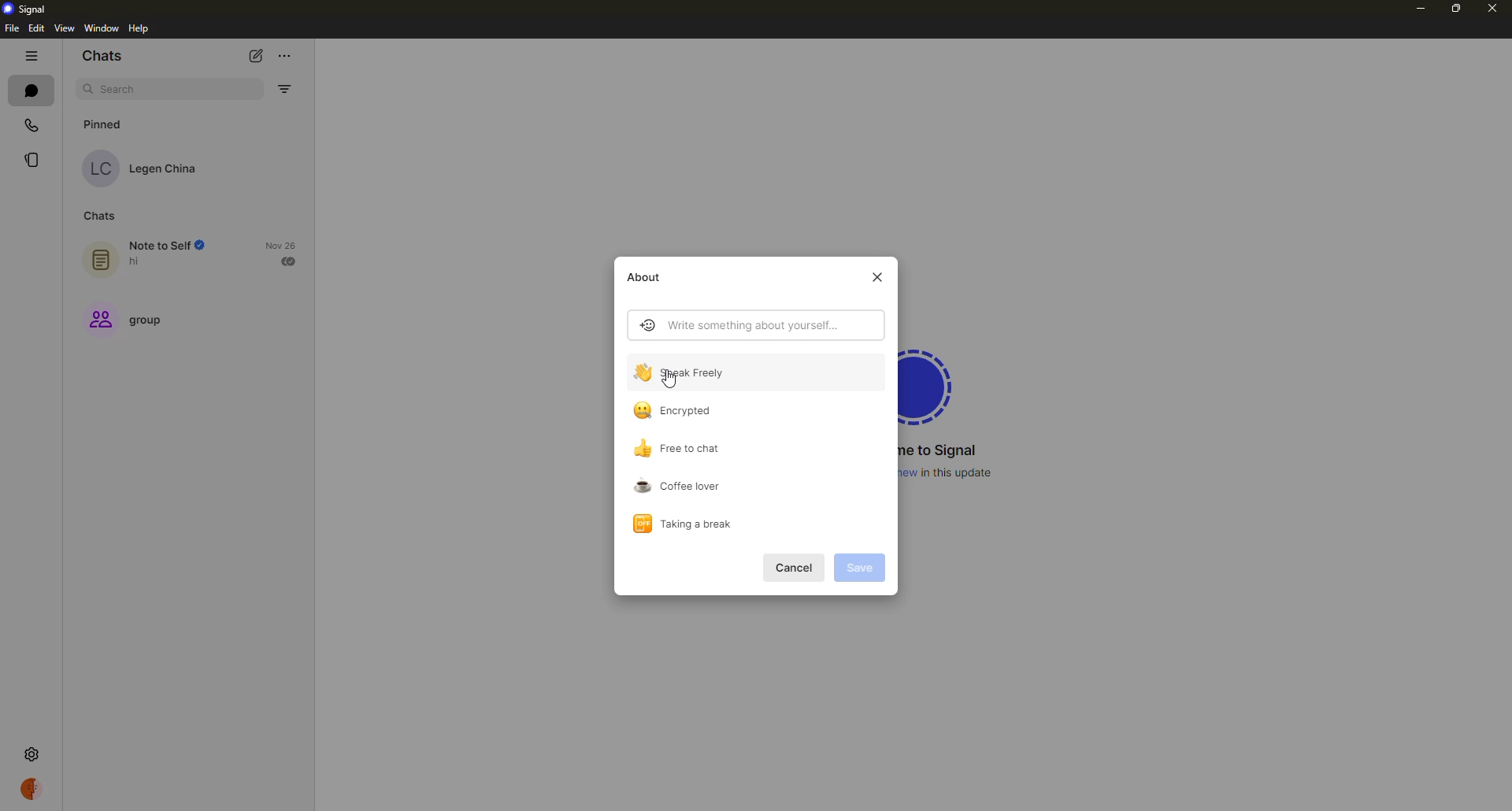 The width and height of the screenshot is (1512, 811). What do you see at coordinates (36, 28) in the screenshot?
I see `edit` at bounding box center [36, 28].